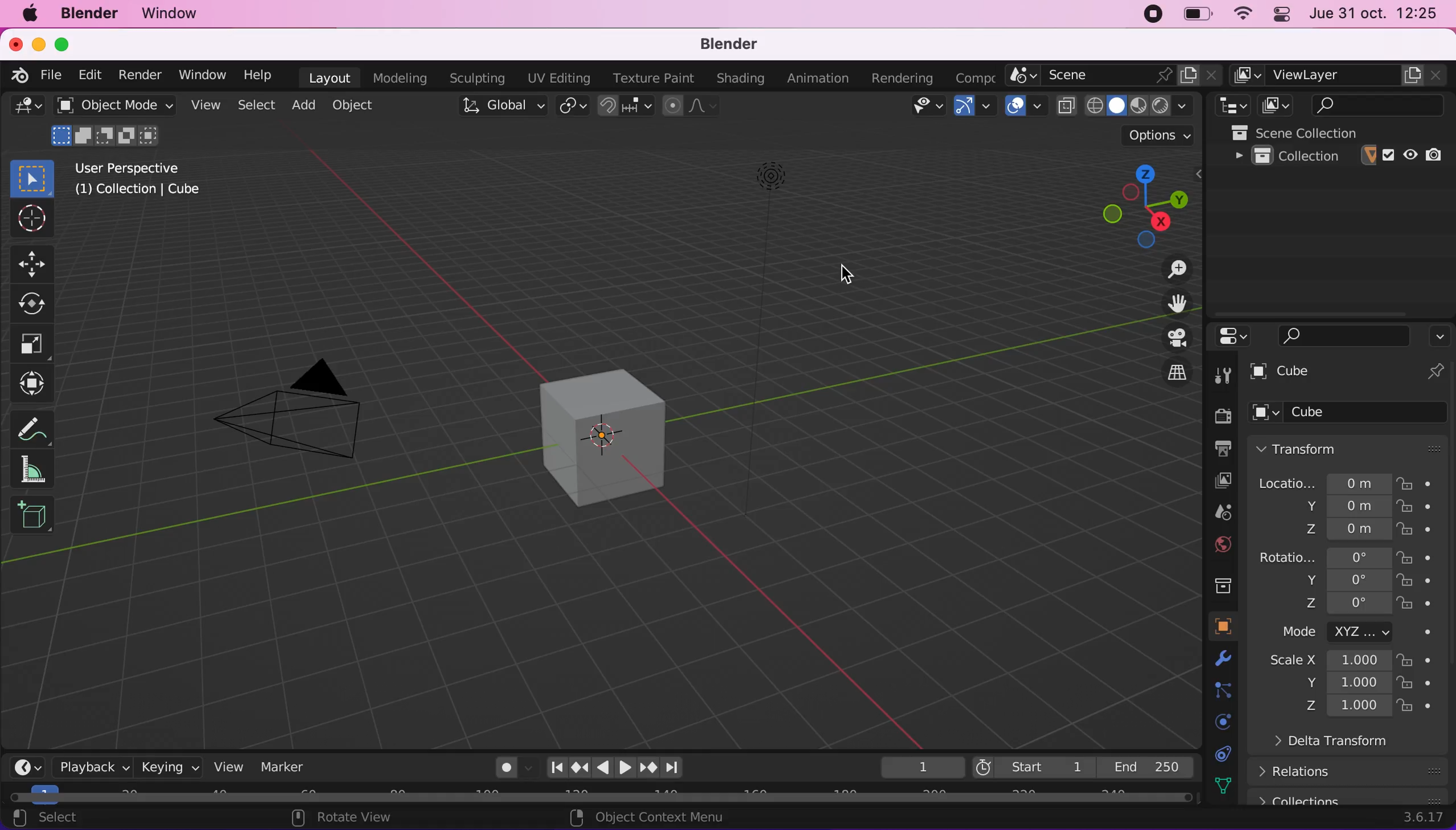  Describe the element at coordinates (1344, 580) in the screenshot. I see `y 0` at that location.